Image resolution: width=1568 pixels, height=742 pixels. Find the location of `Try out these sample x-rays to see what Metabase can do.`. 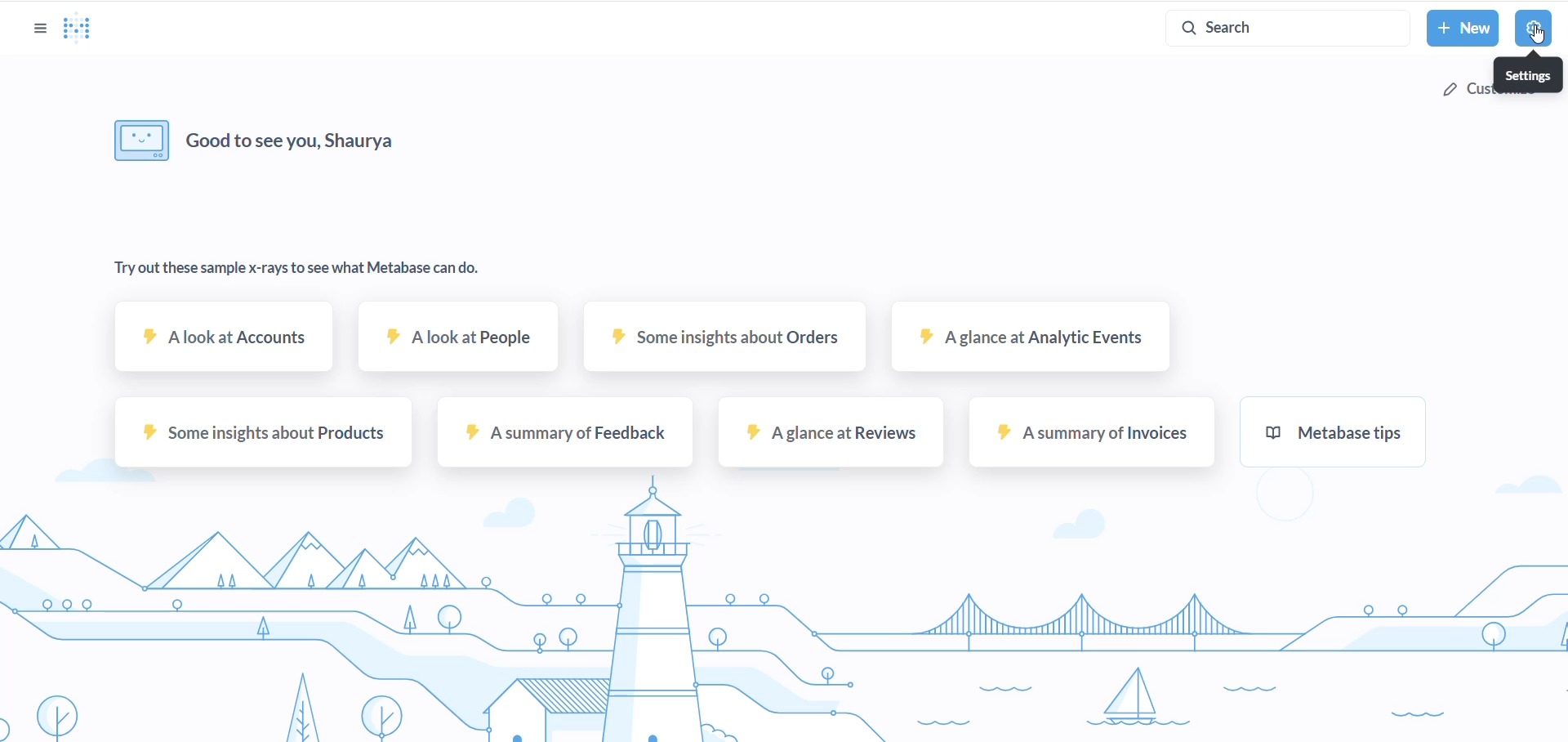

Try out these sample x-rays to see what Metabase can do. is located at coordinates (296, 270).